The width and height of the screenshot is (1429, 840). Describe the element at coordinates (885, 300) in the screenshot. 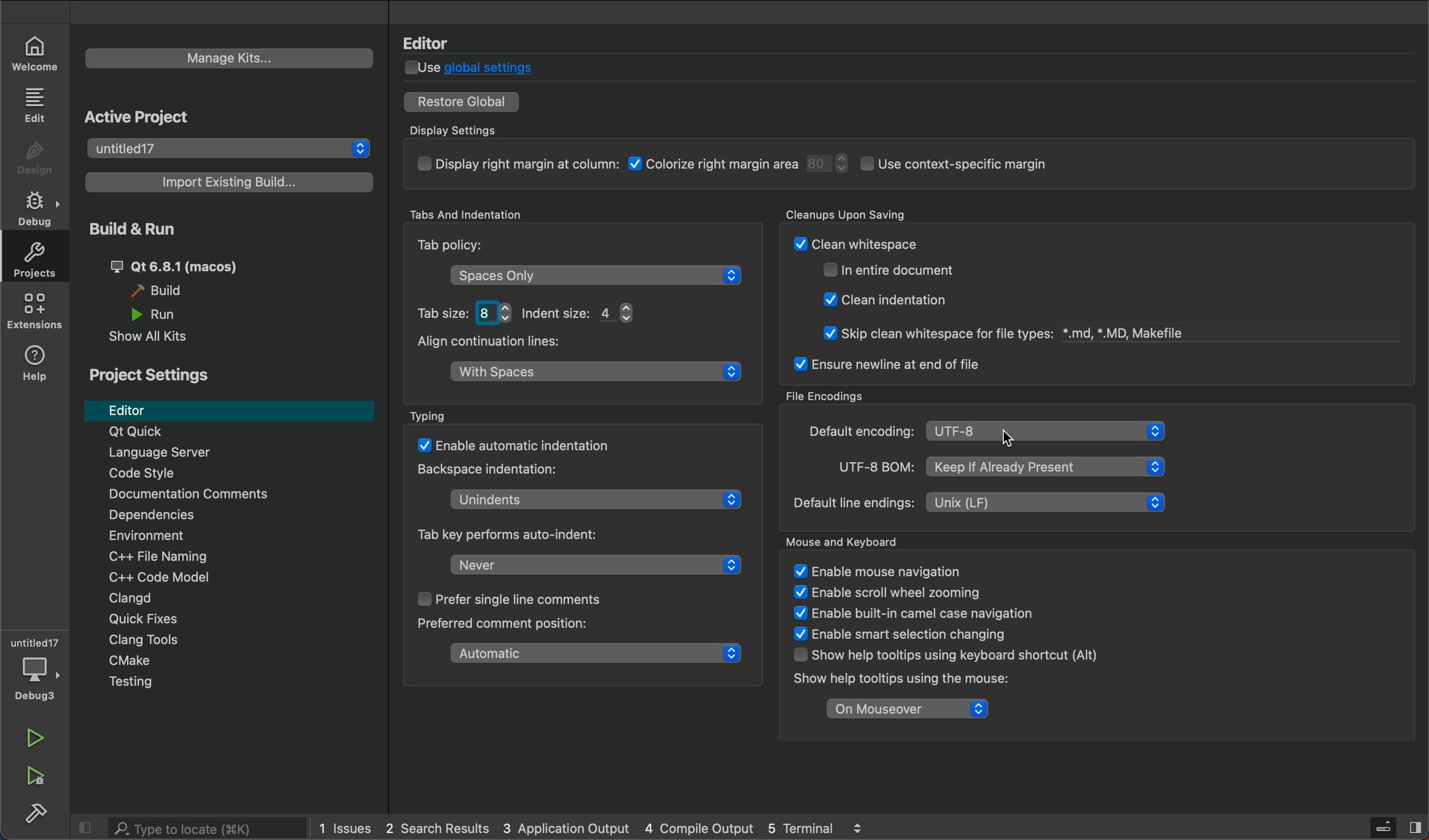

I see `@ Clean indentation` at that location.